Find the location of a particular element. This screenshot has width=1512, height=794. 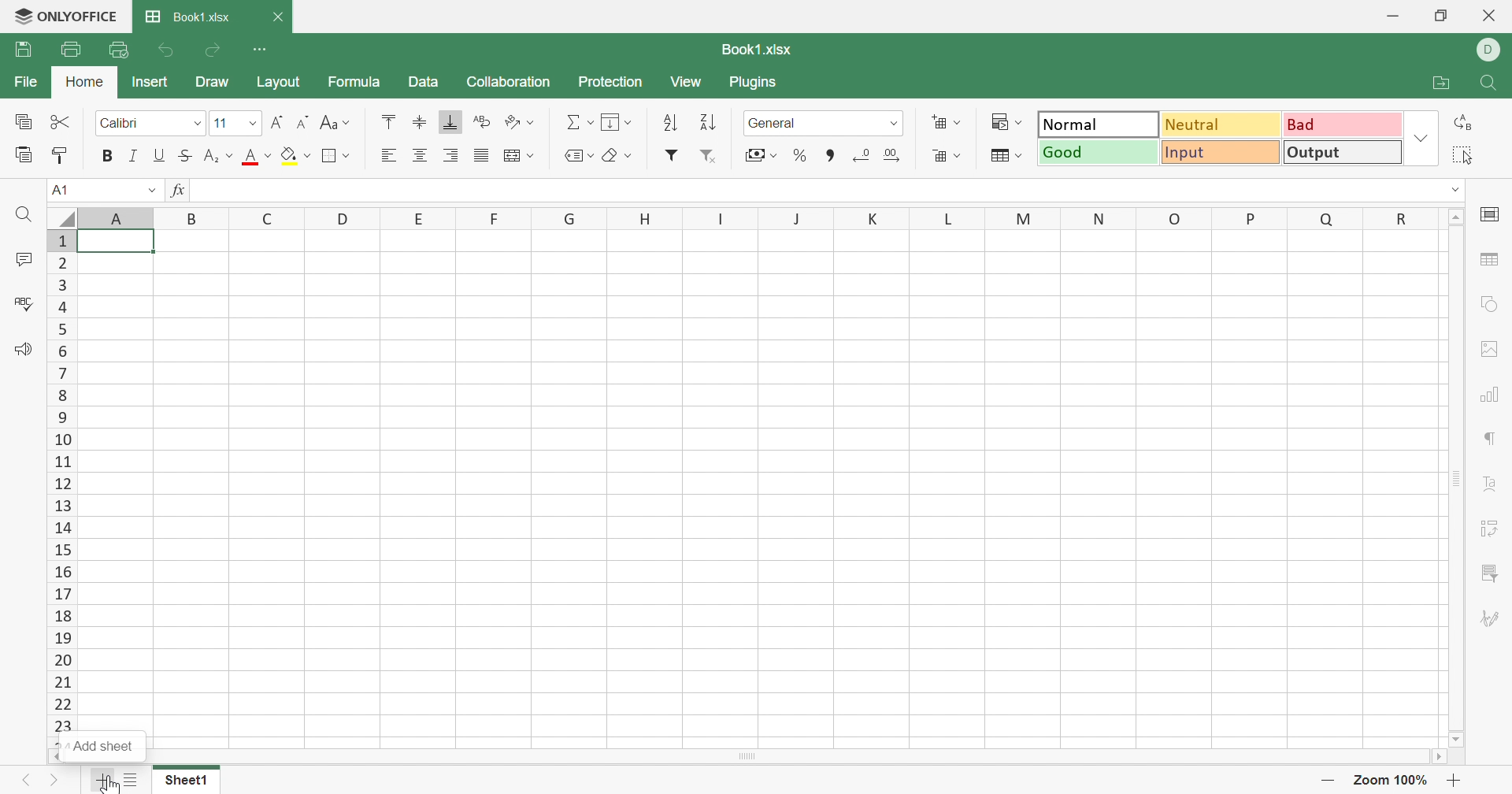

Fill color is located at coordinates (287, 152).